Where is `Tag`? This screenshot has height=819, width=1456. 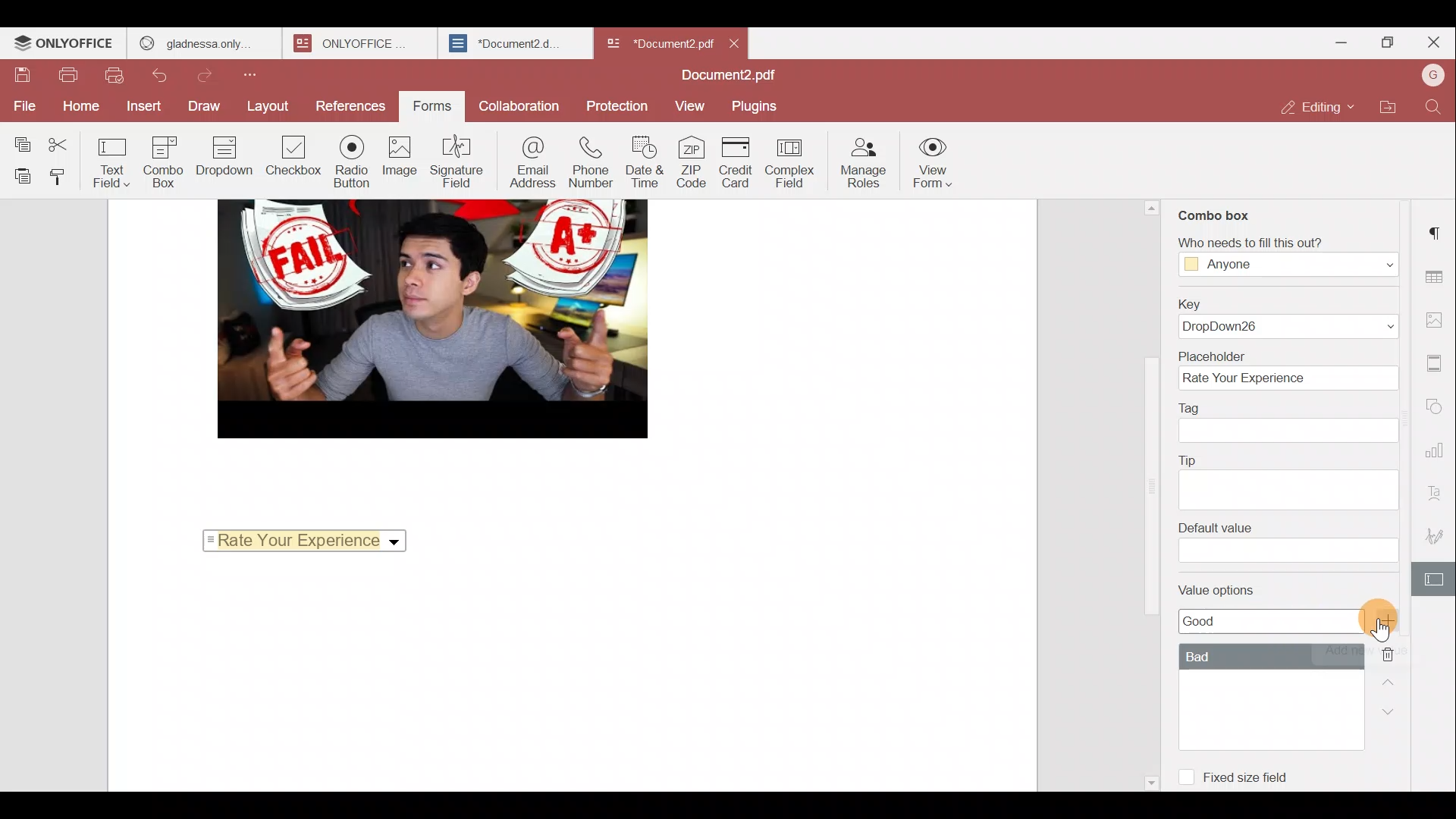 Tag is located at coordinates (1291, 422).